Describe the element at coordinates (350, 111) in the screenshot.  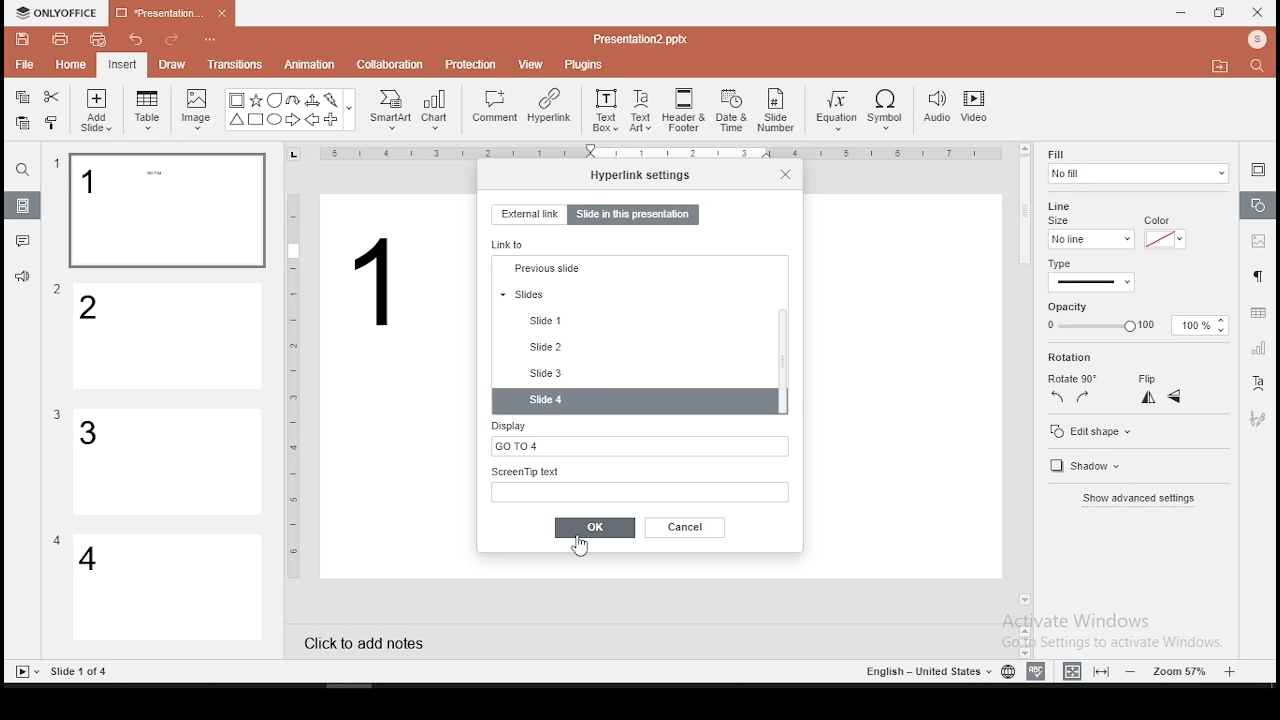
I see `` at that location.